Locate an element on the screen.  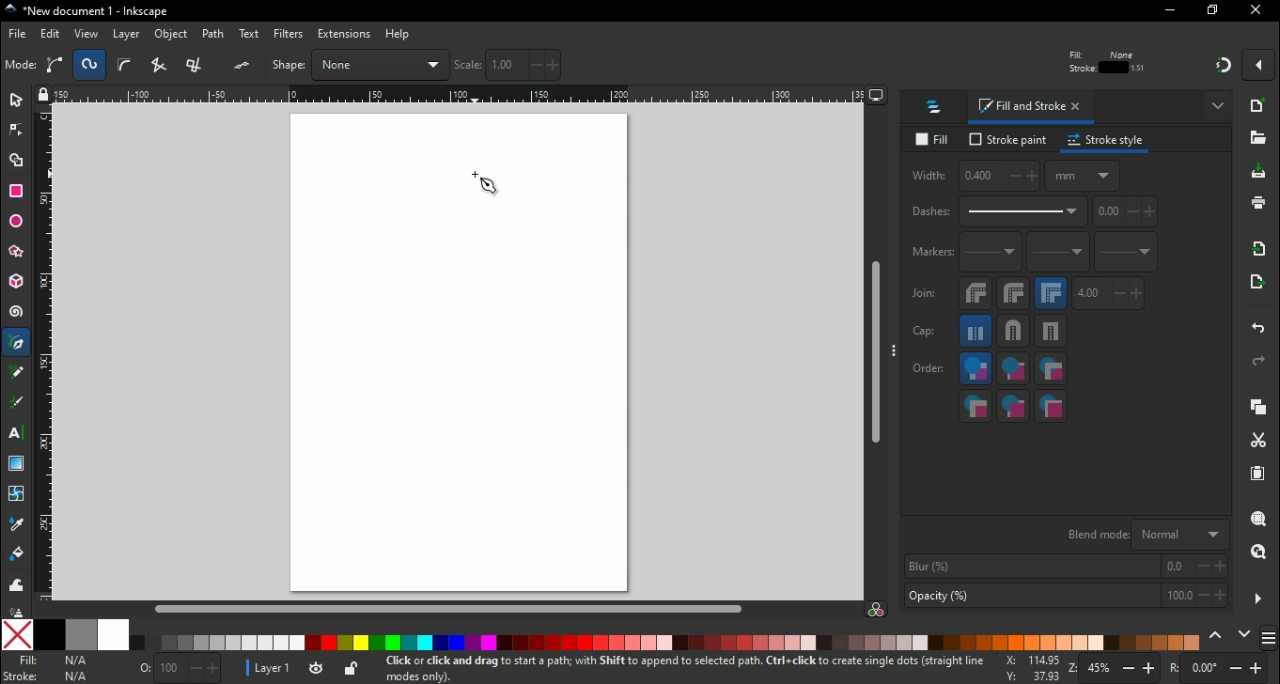
order is located at coordinates (929, 370).